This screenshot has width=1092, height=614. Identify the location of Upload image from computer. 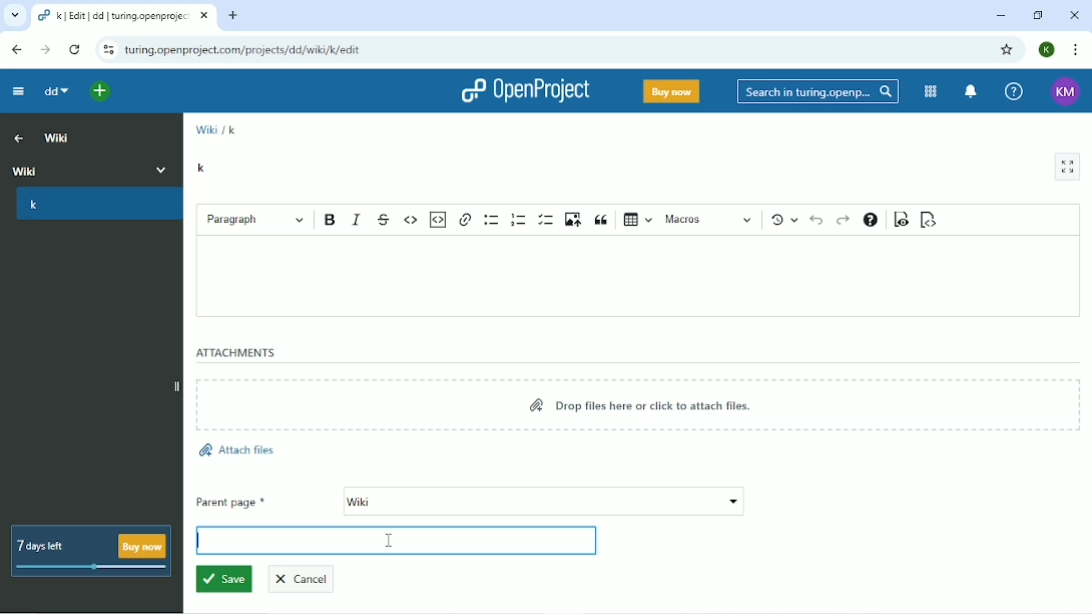
(572, 219).